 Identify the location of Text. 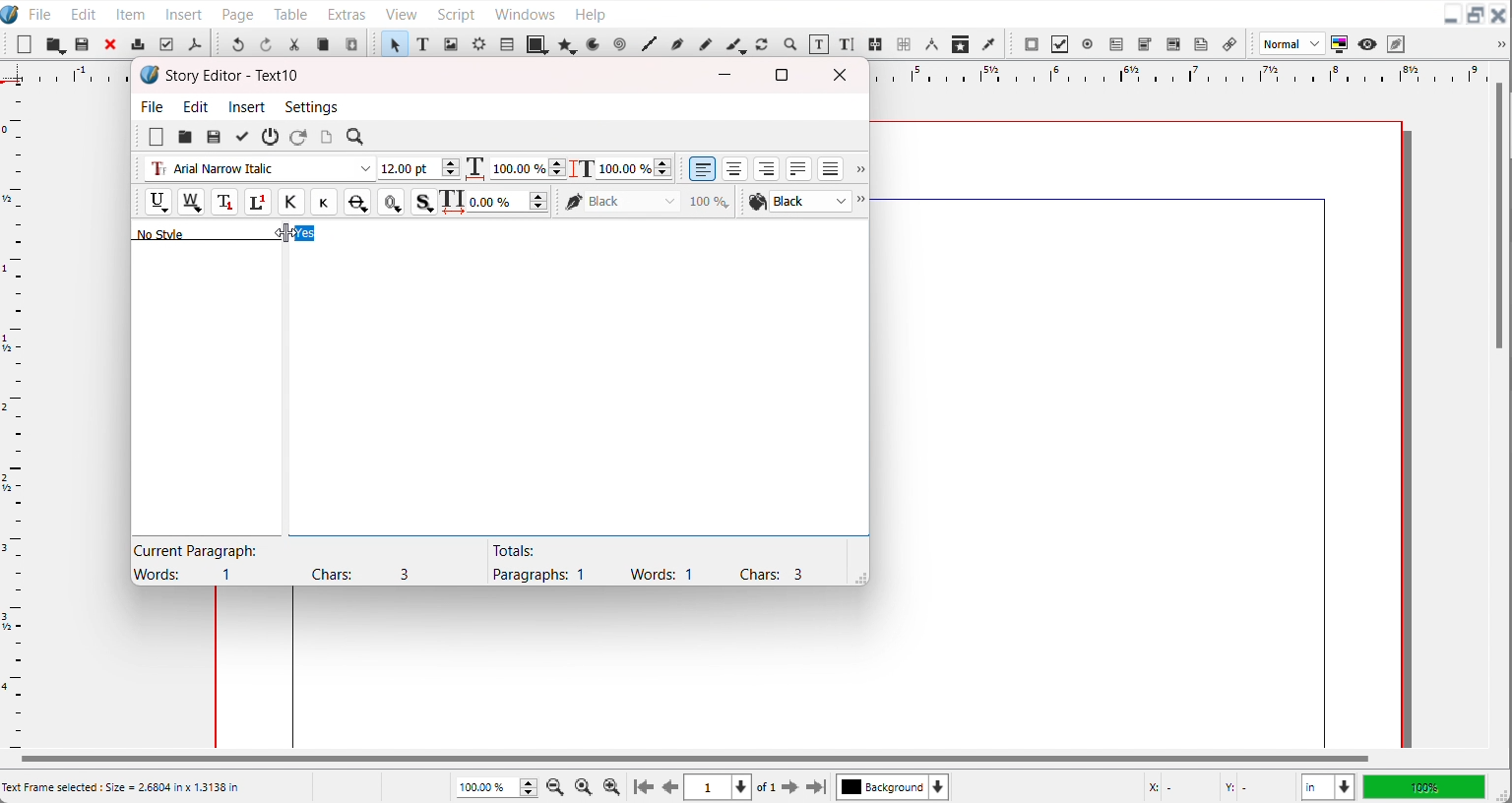
(233, 76).